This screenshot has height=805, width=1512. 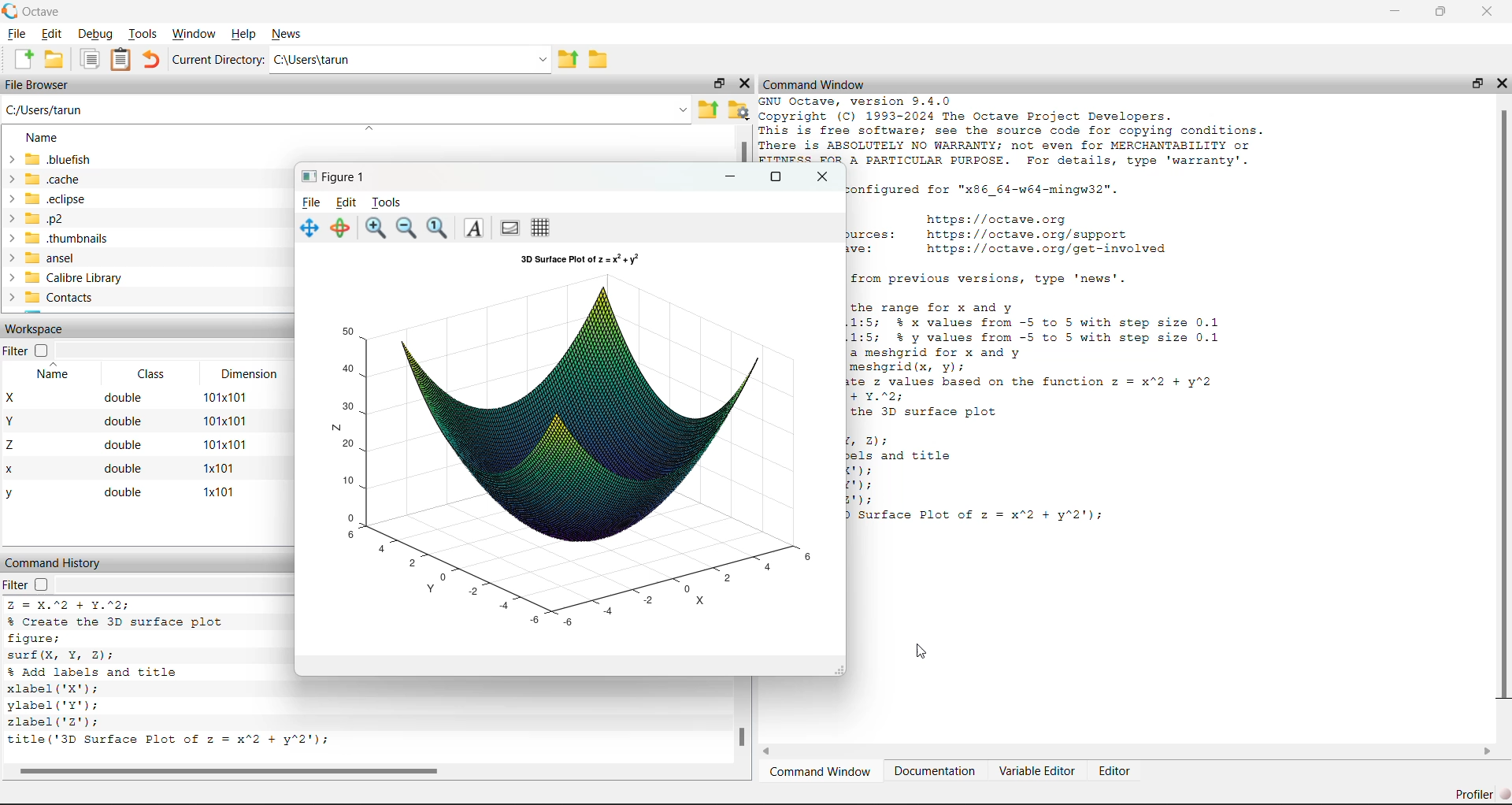 I want to click on y double x101, so click(x=124, y=492).